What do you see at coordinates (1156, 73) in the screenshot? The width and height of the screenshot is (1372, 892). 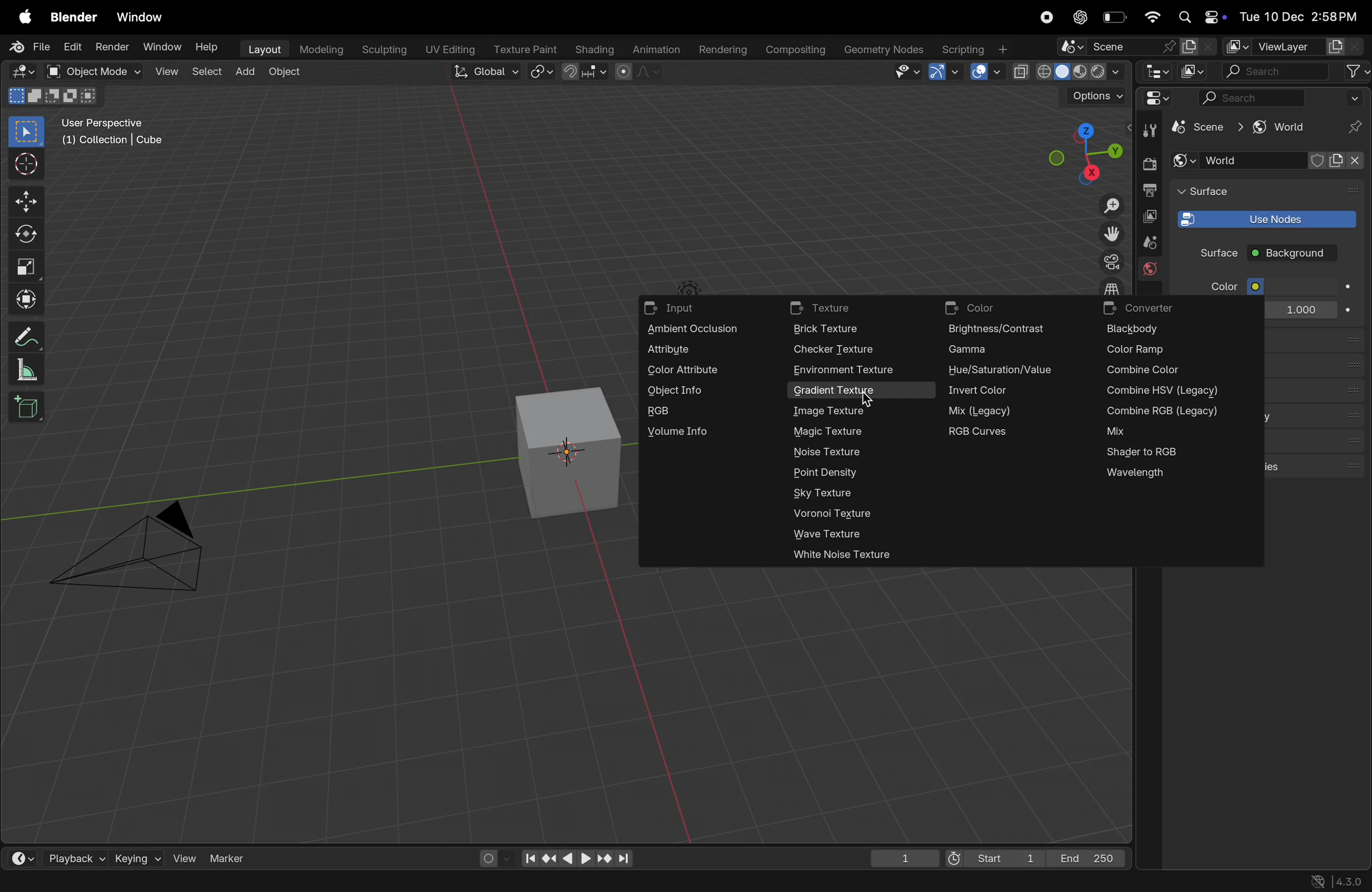 I see `editor` at bounding box center [1156, 73].